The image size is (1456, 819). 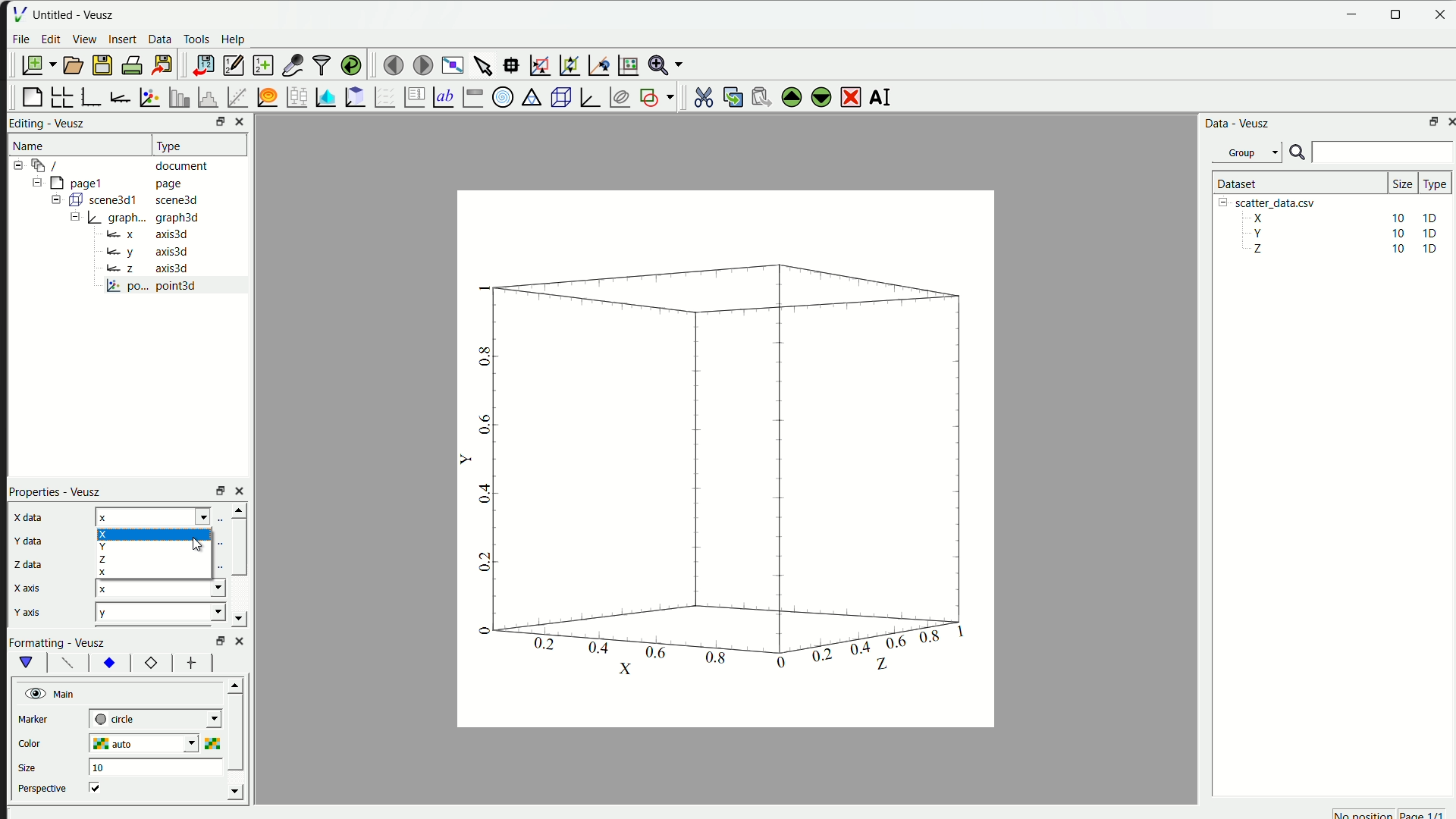 I want to click on Data, so click(x=158, y=40).